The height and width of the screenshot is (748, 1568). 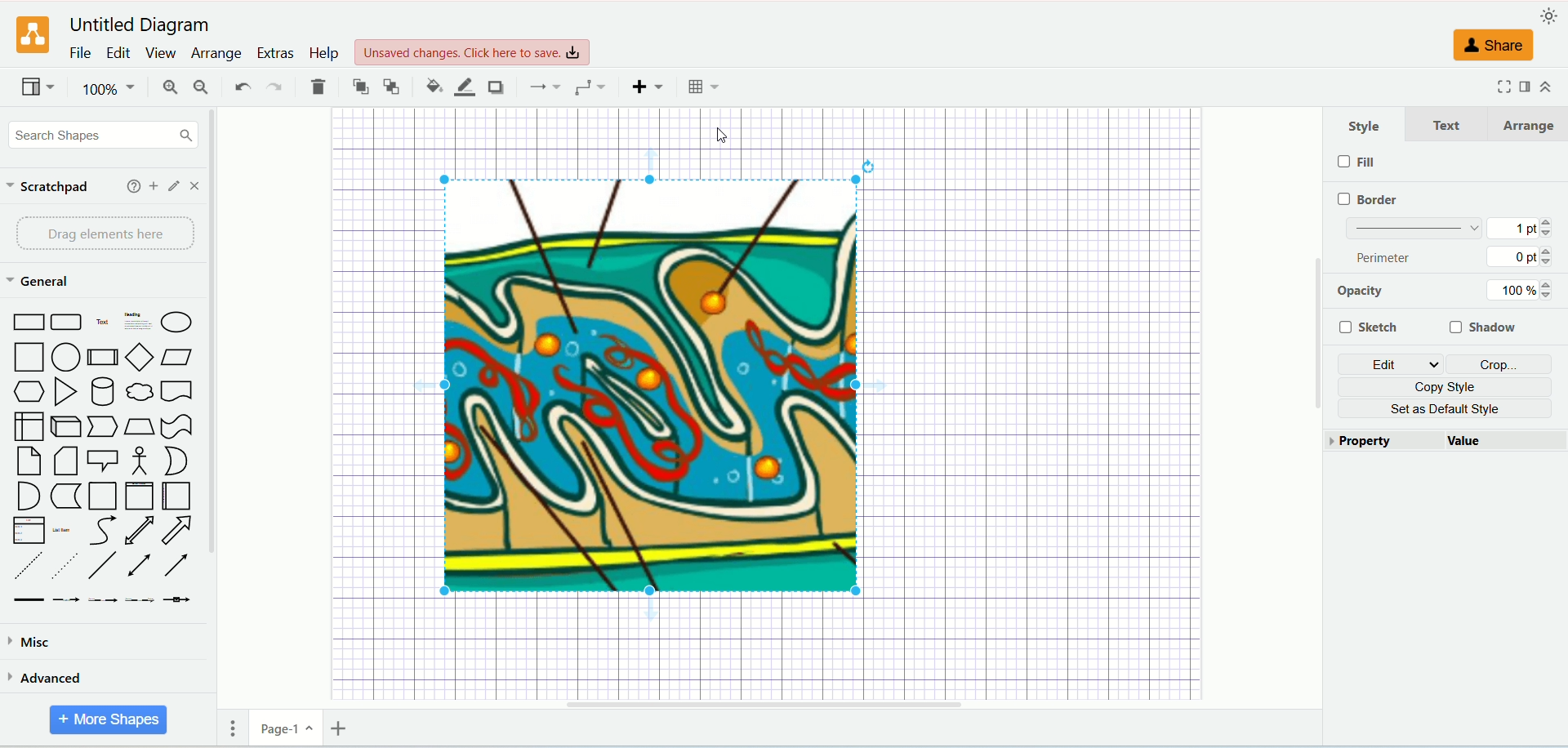 I want to click on edit, so click(x=176, y=186).